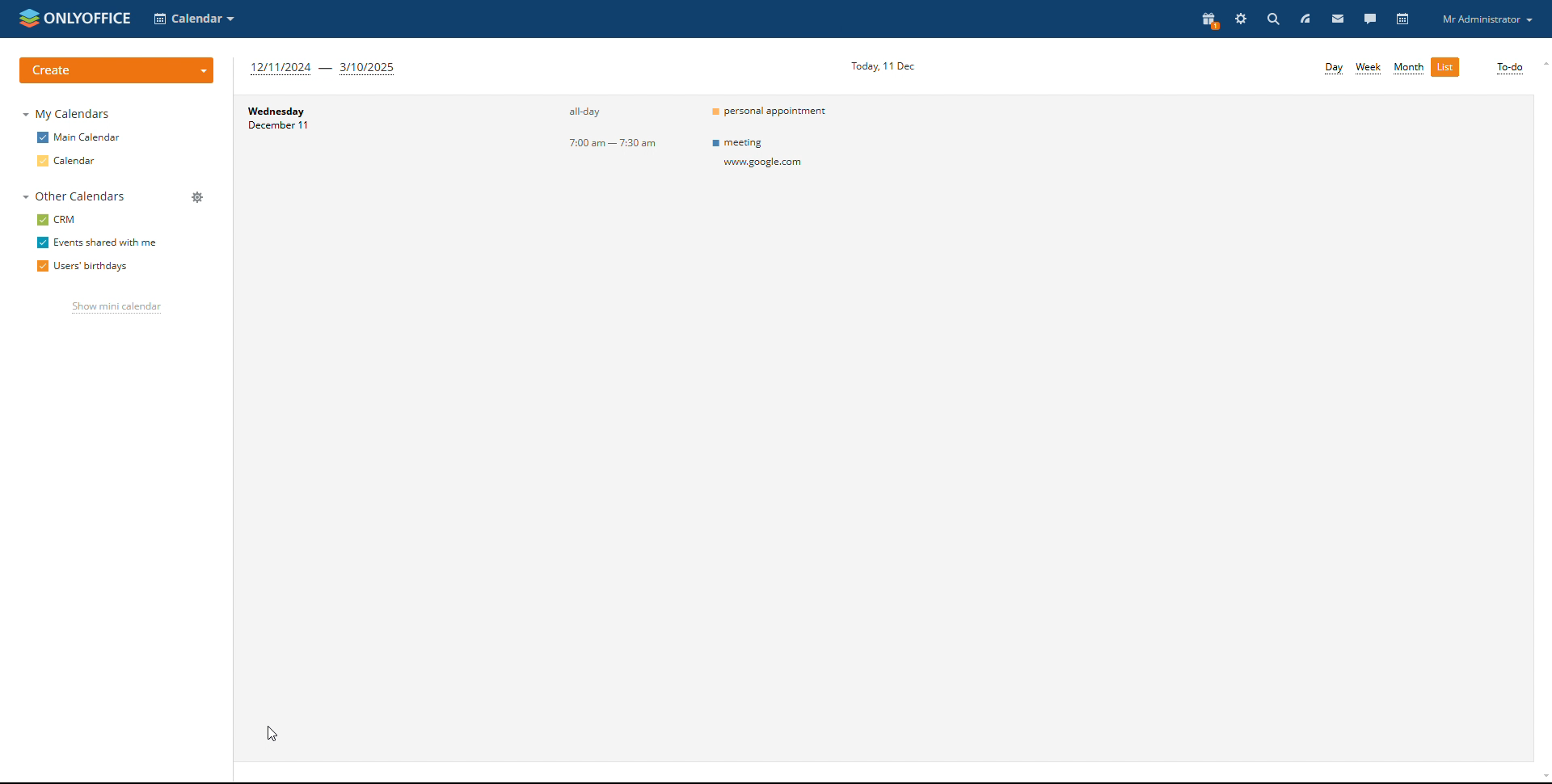 This screenshot has height=784, width=1552. I want to click on event, so click(772, 153).